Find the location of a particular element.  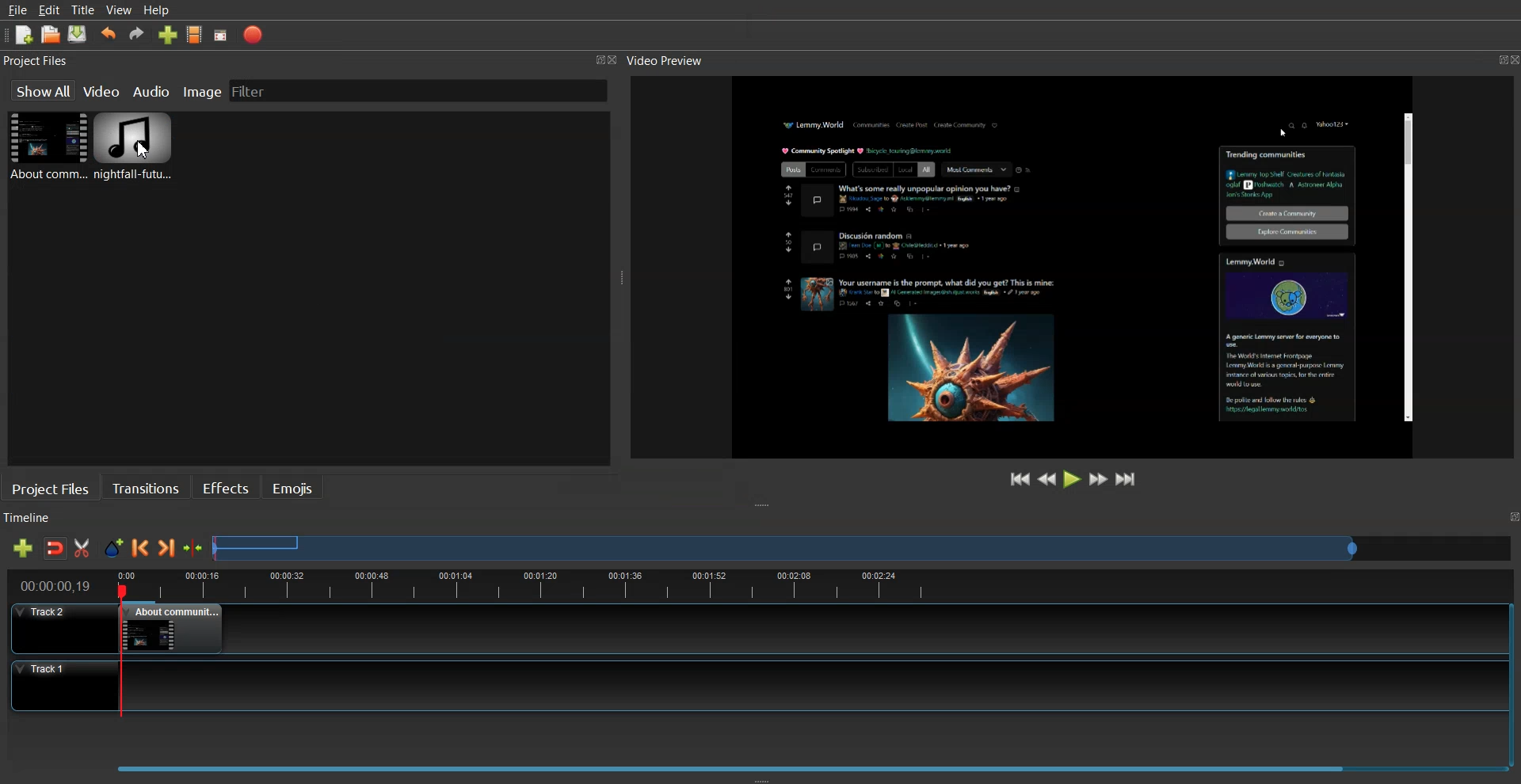

Window Adjuster is located at coordinates (764, 506).